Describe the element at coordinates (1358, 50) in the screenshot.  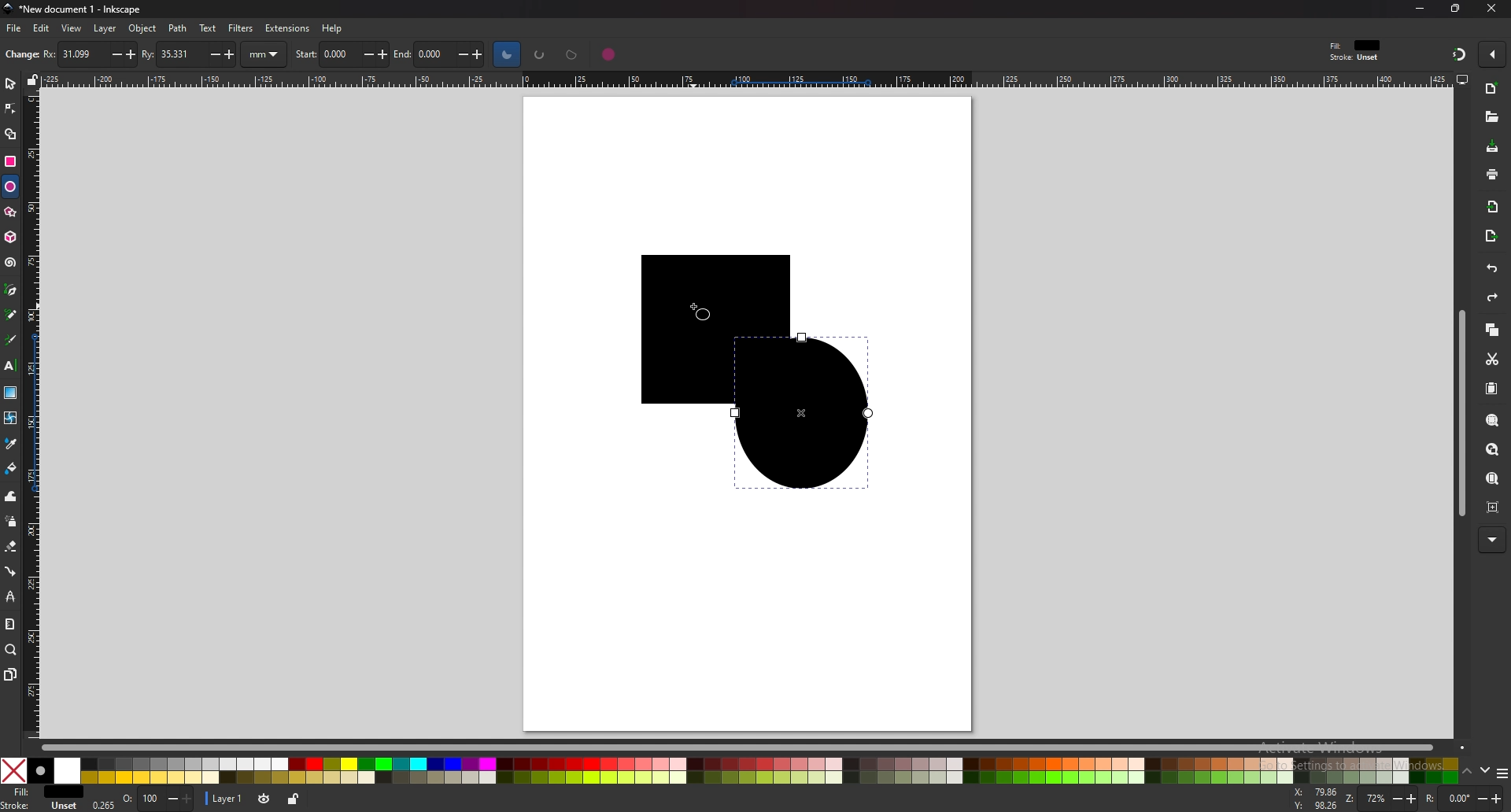
I see `style` at that location.